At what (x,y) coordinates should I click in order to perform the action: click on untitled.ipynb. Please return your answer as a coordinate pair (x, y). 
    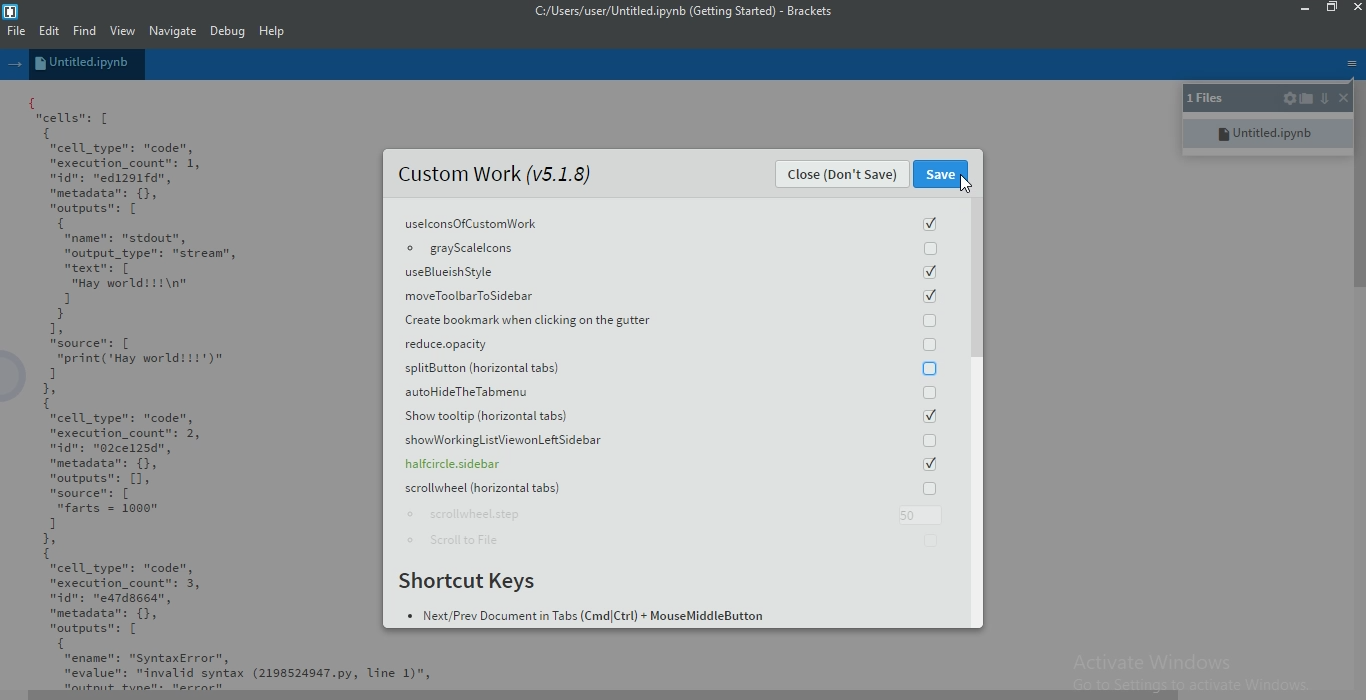
    Looking at the image, I should click on (1265, 132).